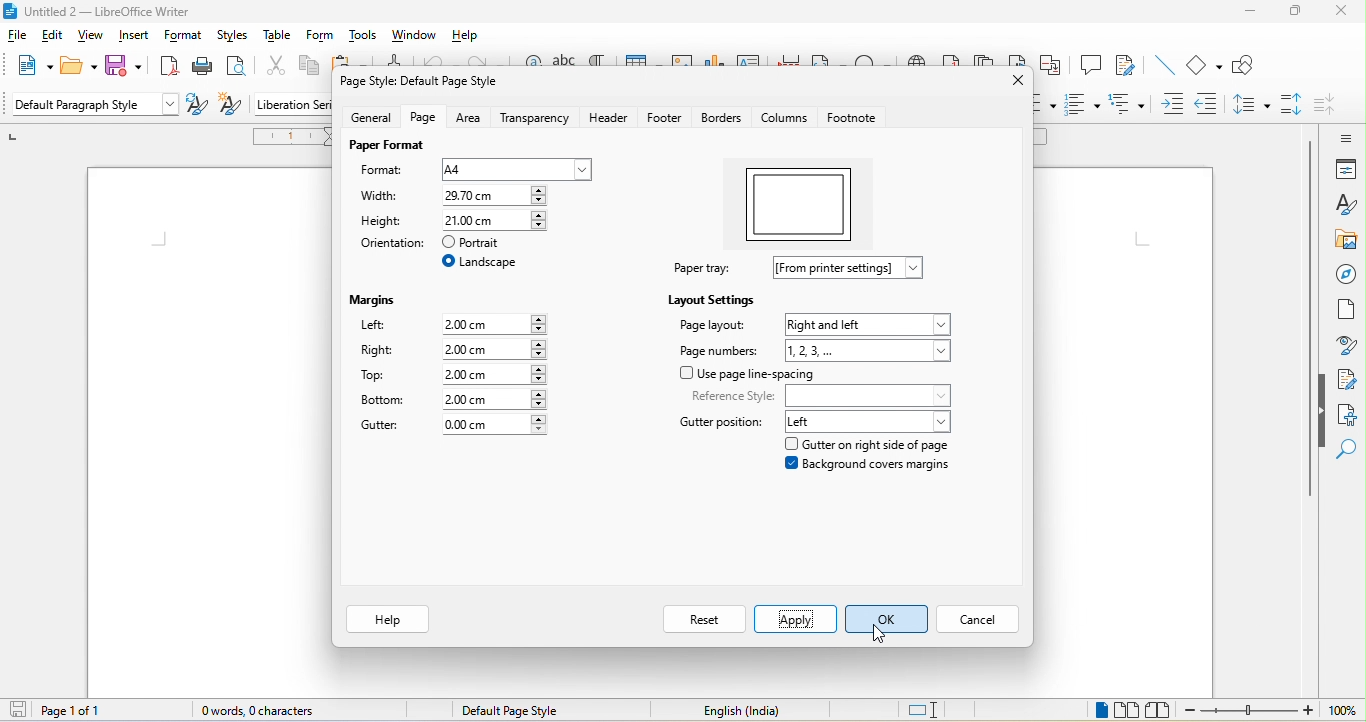 Image resolution: width=1366 pixels, height=722 pixels. What do you see at coordinates (106, 10) in the screenshot?
I see `title` at bounding box center [106, 10].